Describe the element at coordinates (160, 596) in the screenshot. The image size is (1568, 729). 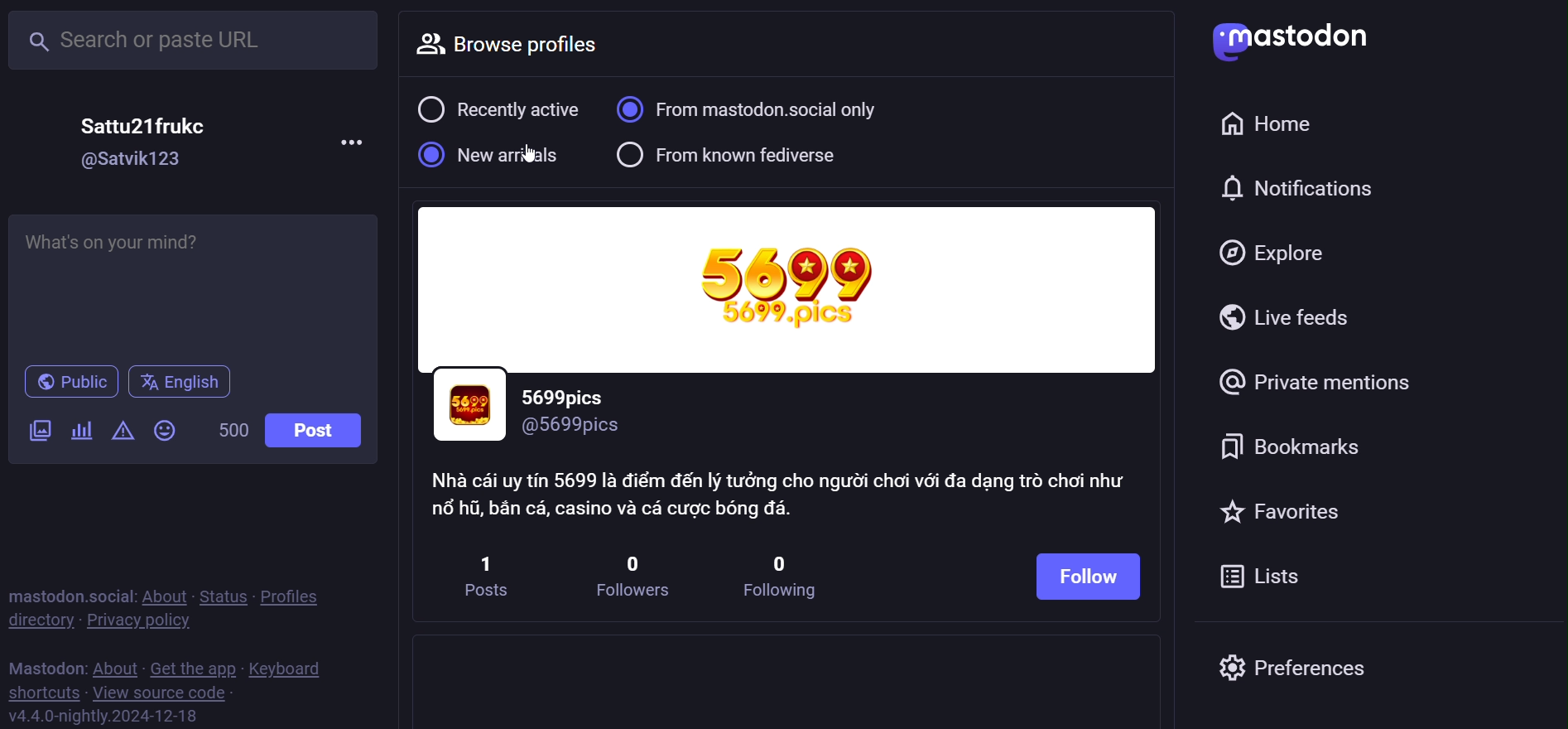
I see `about` at that location.